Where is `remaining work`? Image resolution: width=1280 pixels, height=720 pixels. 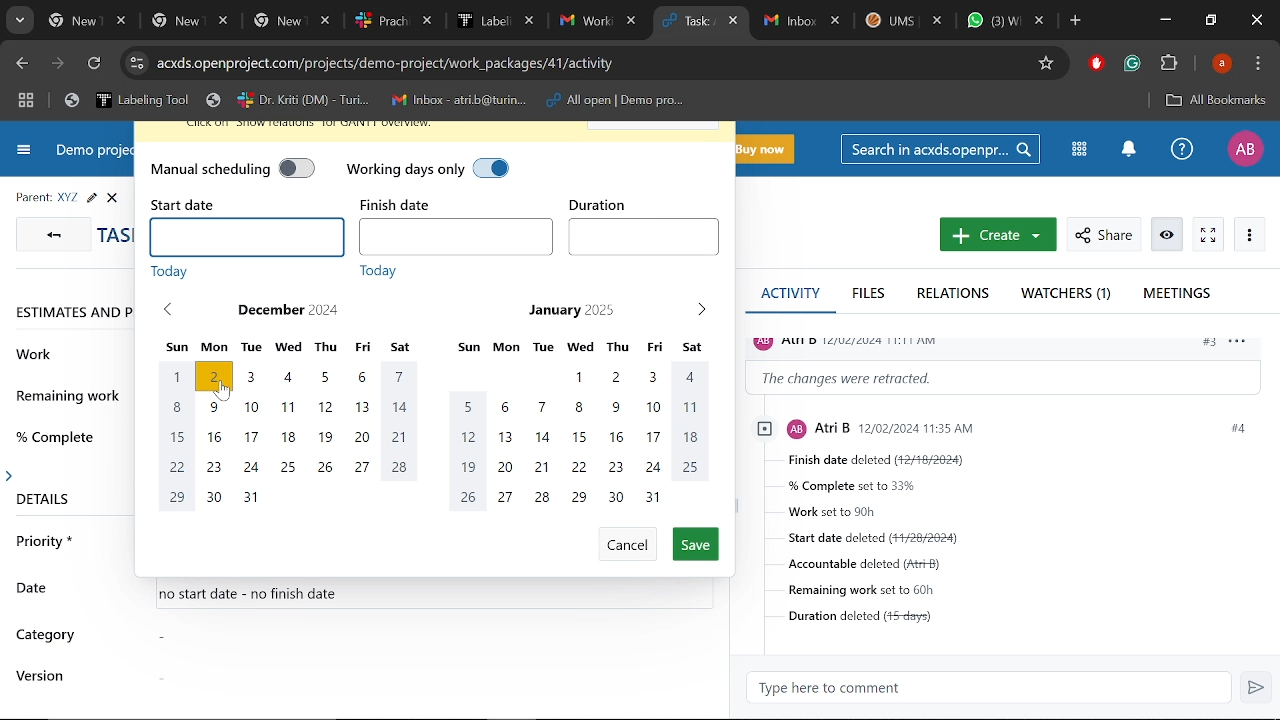 remaining work is located at coordinates (71, 400).